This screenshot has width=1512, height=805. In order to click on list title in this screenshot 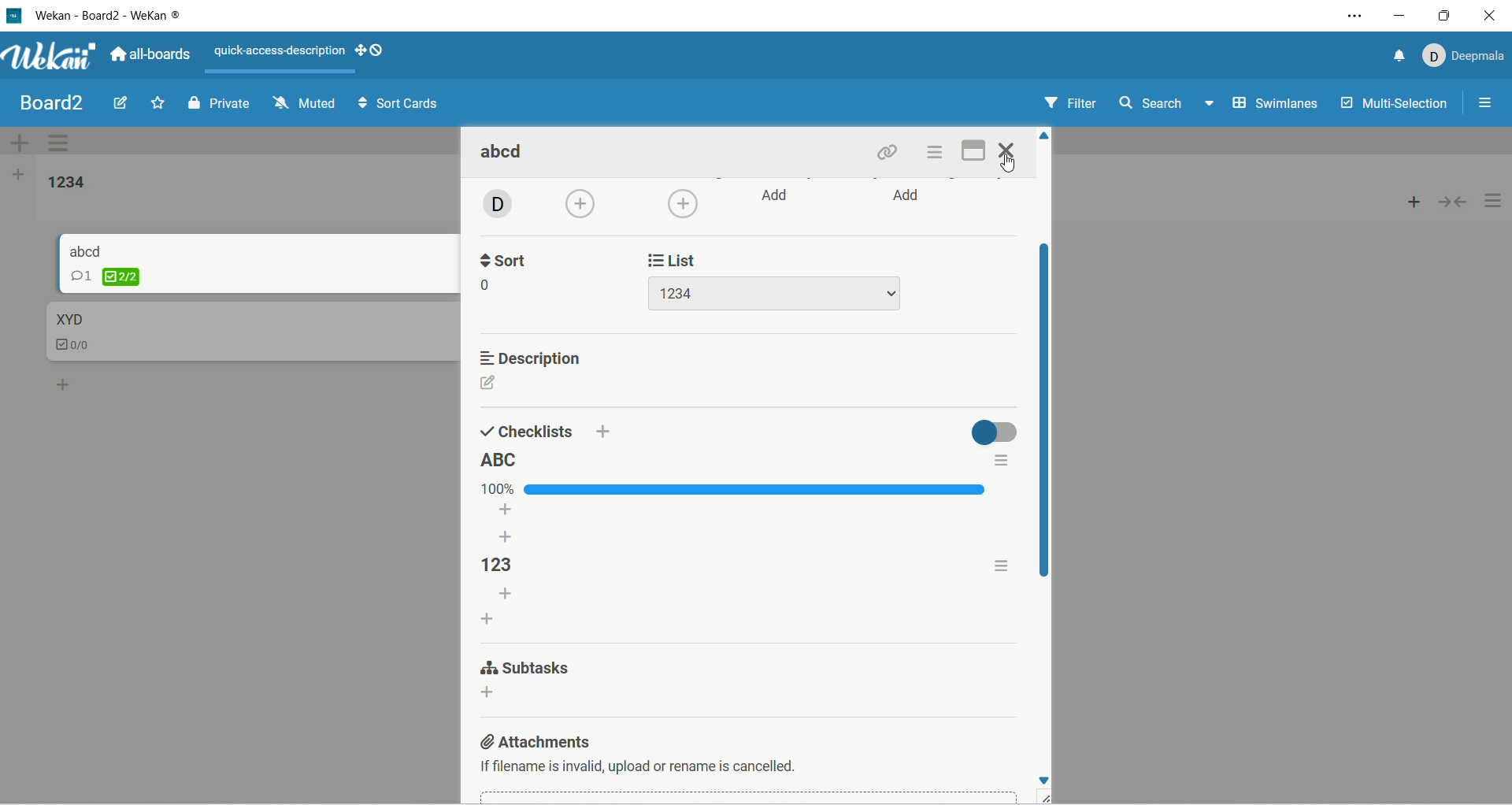, I will do `click(502, 461)`.